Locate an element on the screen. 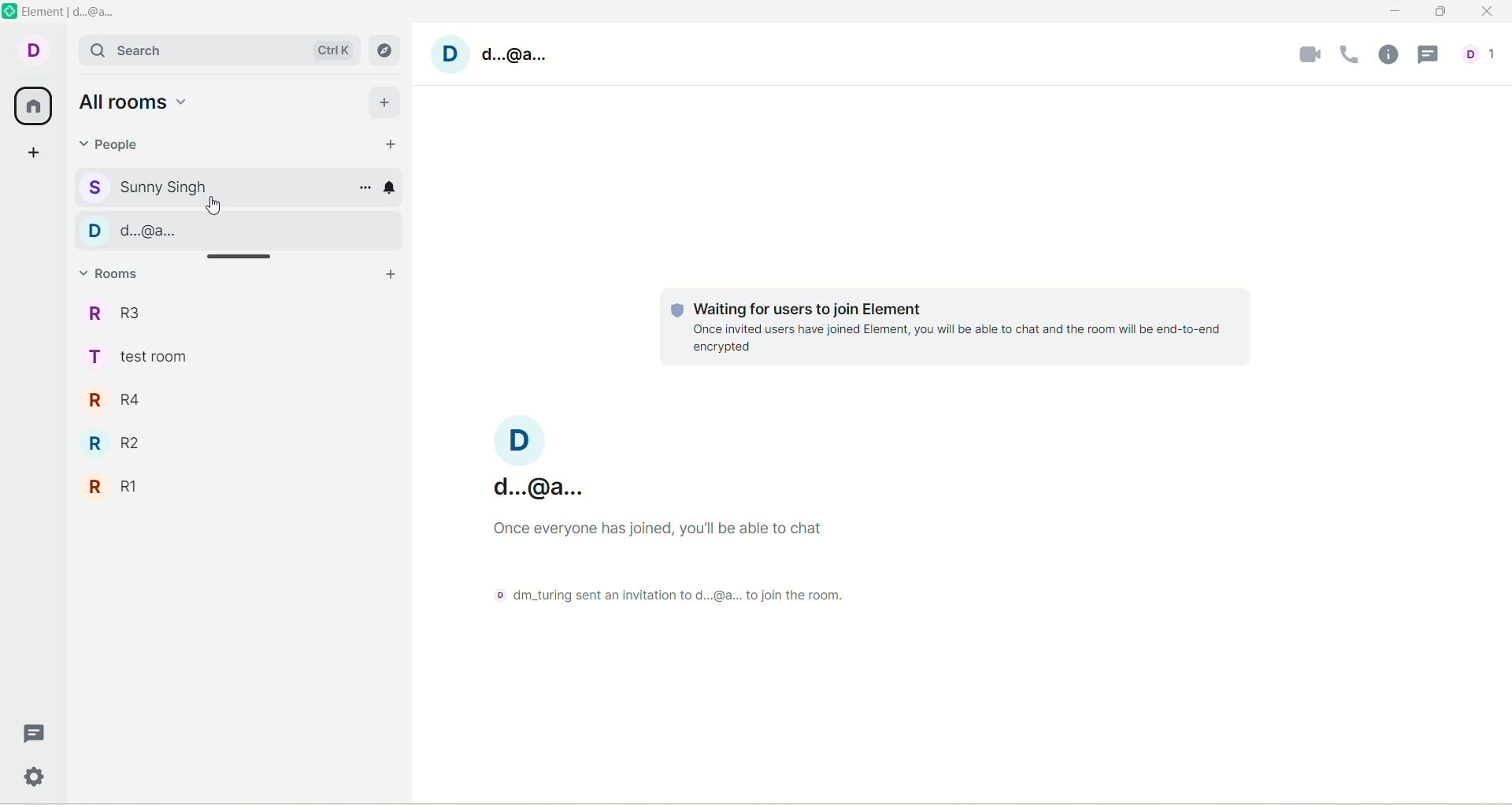 This screenshot has height=805, width=1512. create a space is located at coordinates (34, 154).